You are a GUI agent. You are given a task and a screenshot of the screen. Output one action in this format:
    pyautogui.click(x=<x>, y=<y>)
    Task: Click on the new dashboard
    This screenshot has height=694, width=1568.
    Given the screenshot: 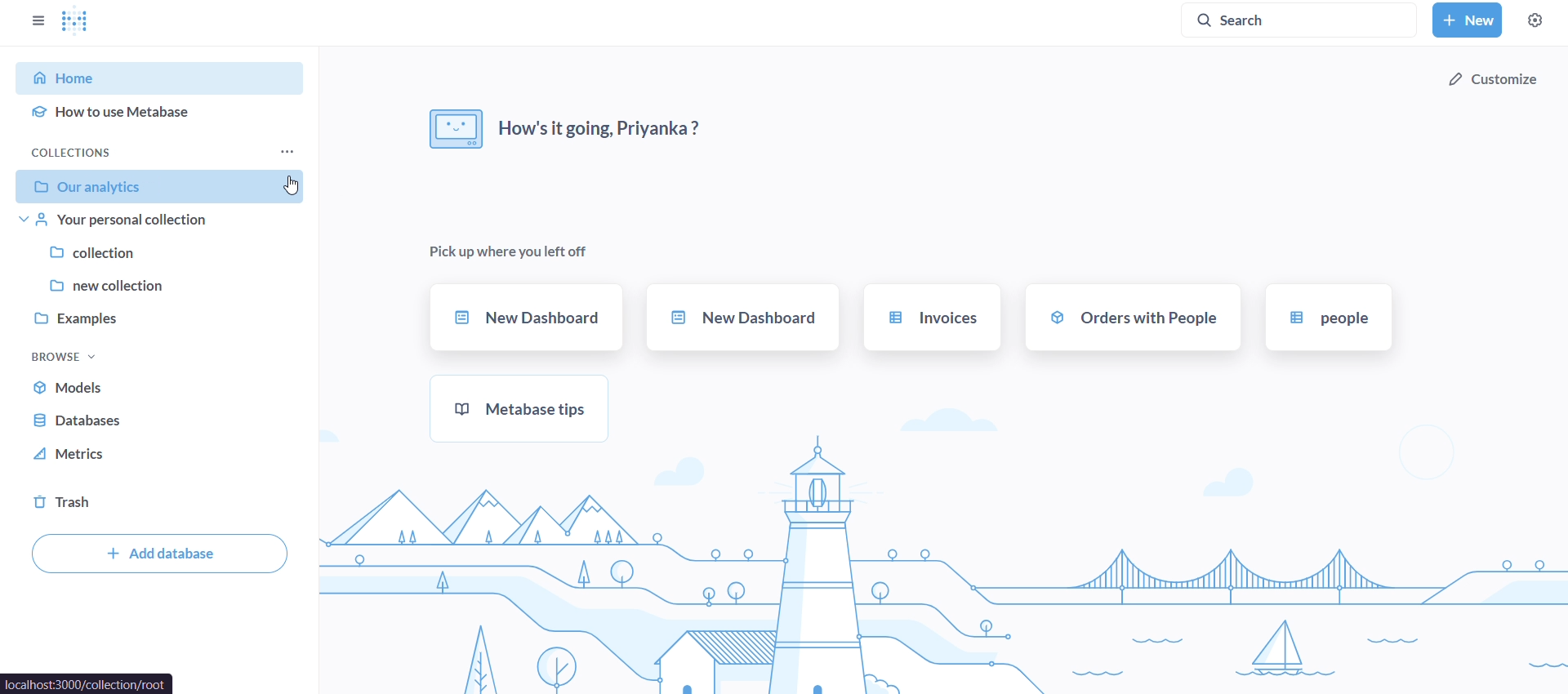 What is the action you would take?
    pyautogui.click(x=742, y=317)
    